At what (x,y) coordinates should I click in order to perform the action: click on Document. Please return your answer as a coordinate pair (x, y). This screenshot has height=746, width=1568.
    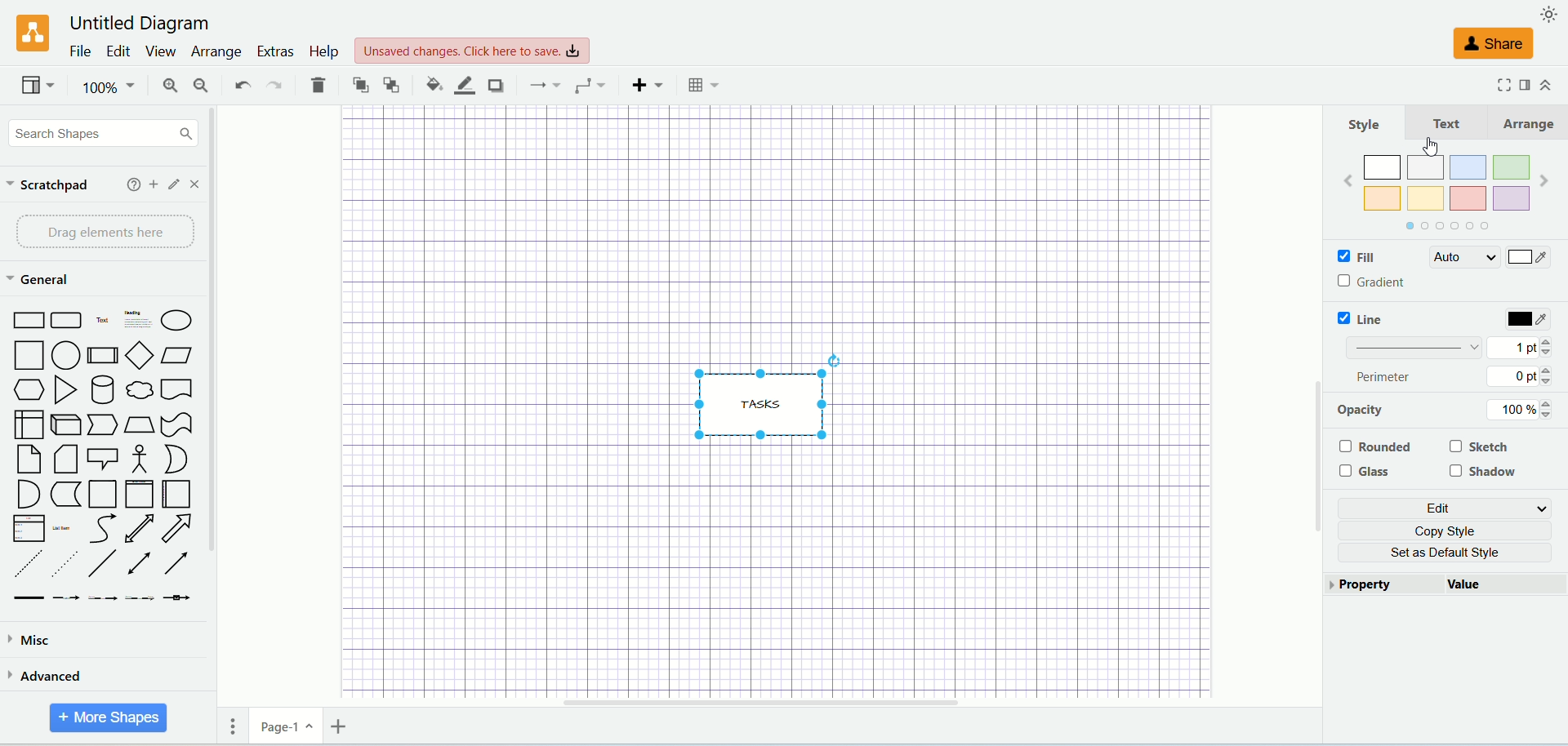
    Looking at the image, I should click on (177, 389).